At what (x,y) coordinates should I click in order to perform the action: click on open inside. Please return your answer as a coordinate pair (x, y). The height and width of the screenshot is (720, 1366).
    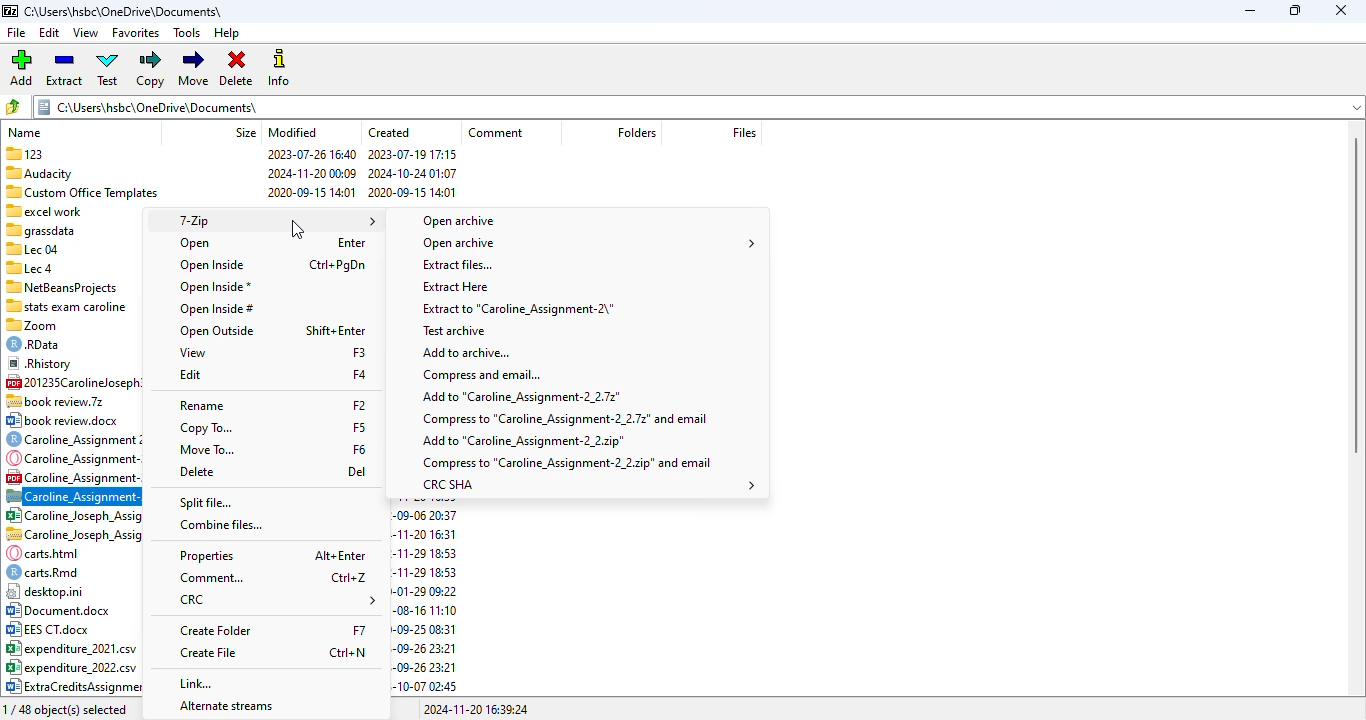
    Looking at the image, I should click on (213, 265).